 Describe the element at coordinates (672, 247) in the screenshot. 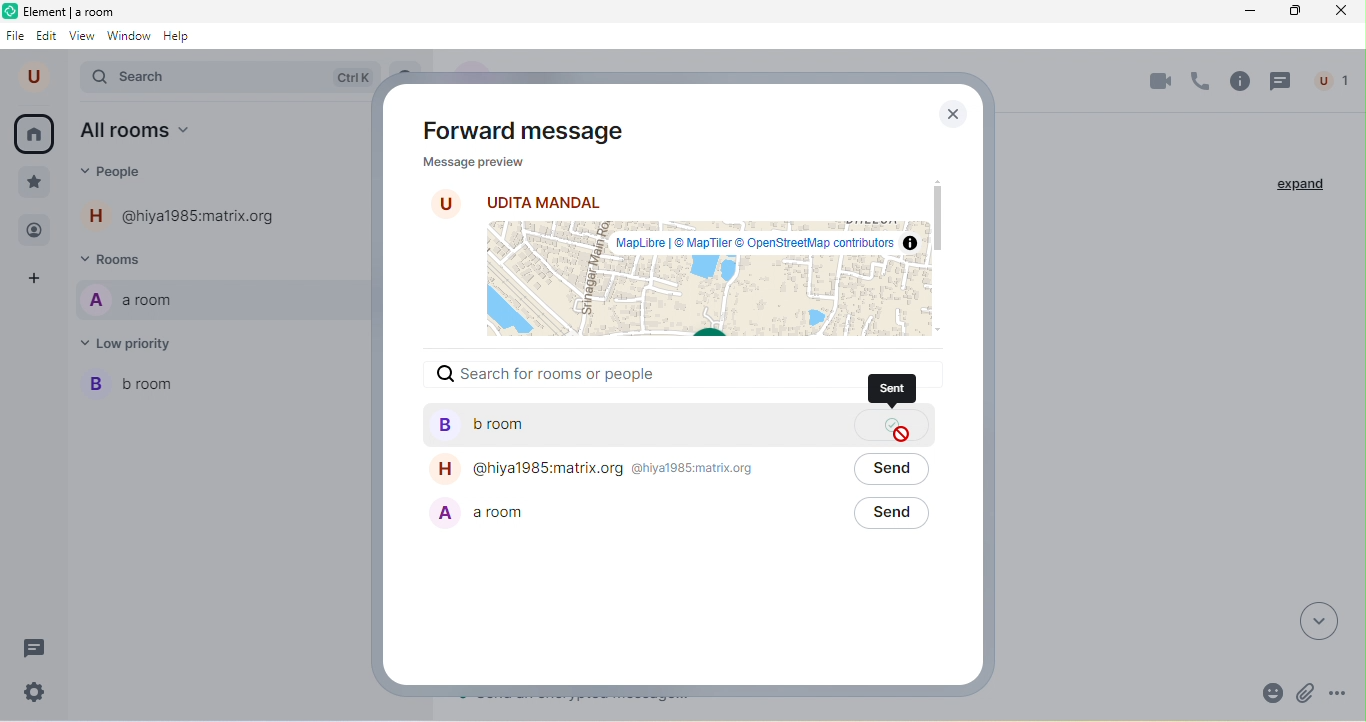

I see `message preview` at that location.